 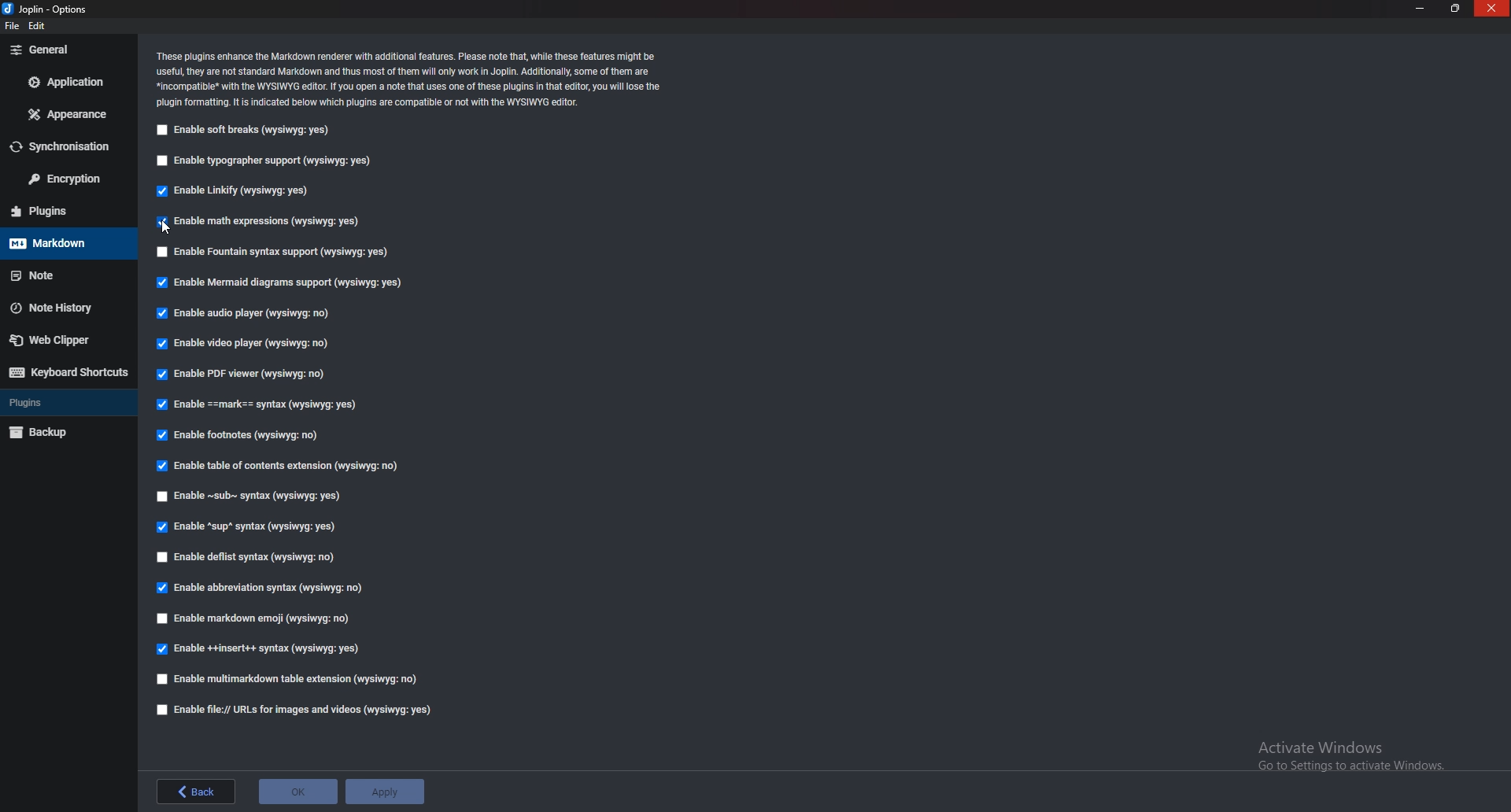 I want to click on Enable Mark Syntax, so click(x=260, y=406).